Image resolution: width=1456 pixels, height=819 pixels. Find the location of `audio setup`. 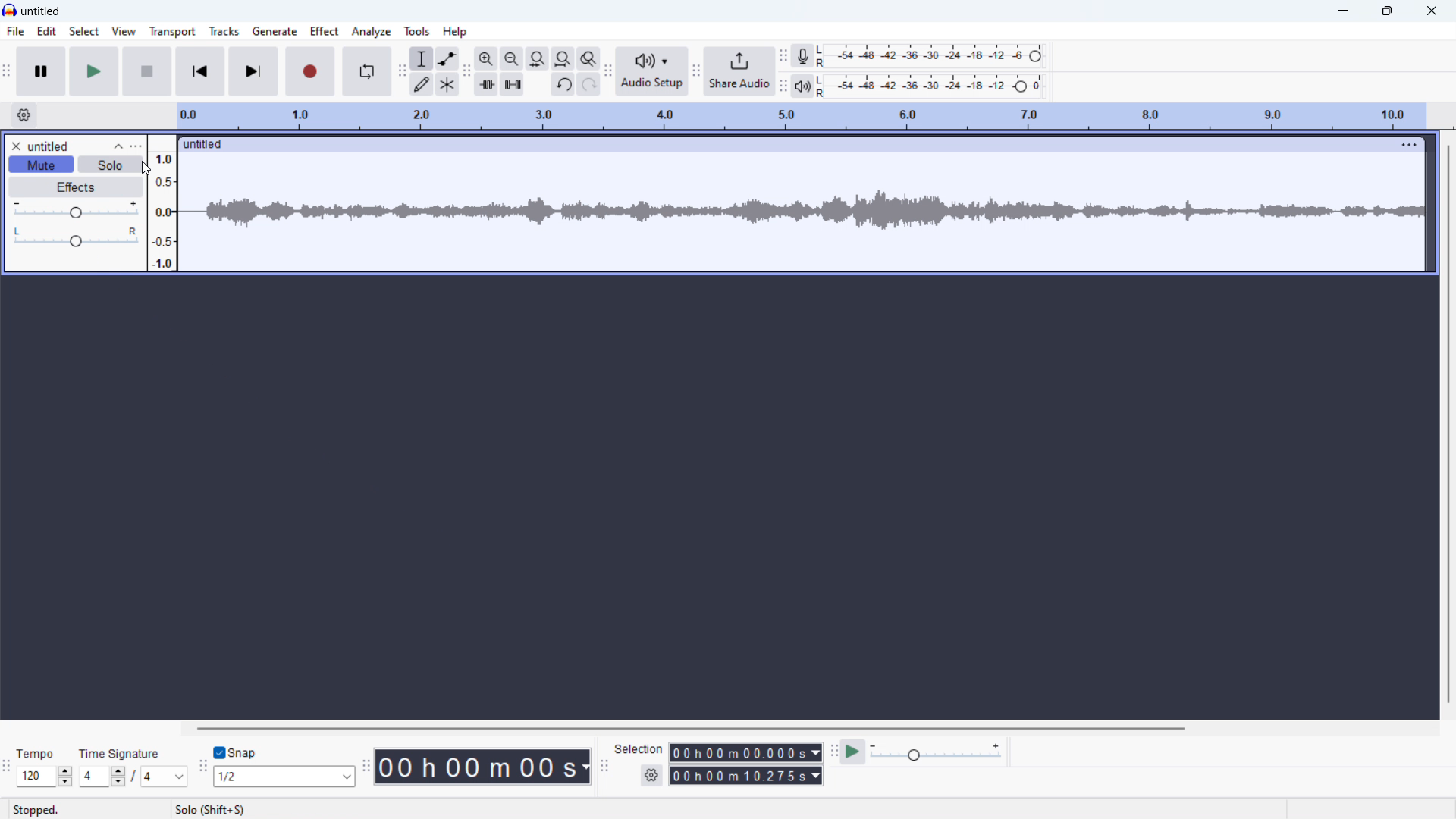

audio setup is located at coordinates (651, 72).